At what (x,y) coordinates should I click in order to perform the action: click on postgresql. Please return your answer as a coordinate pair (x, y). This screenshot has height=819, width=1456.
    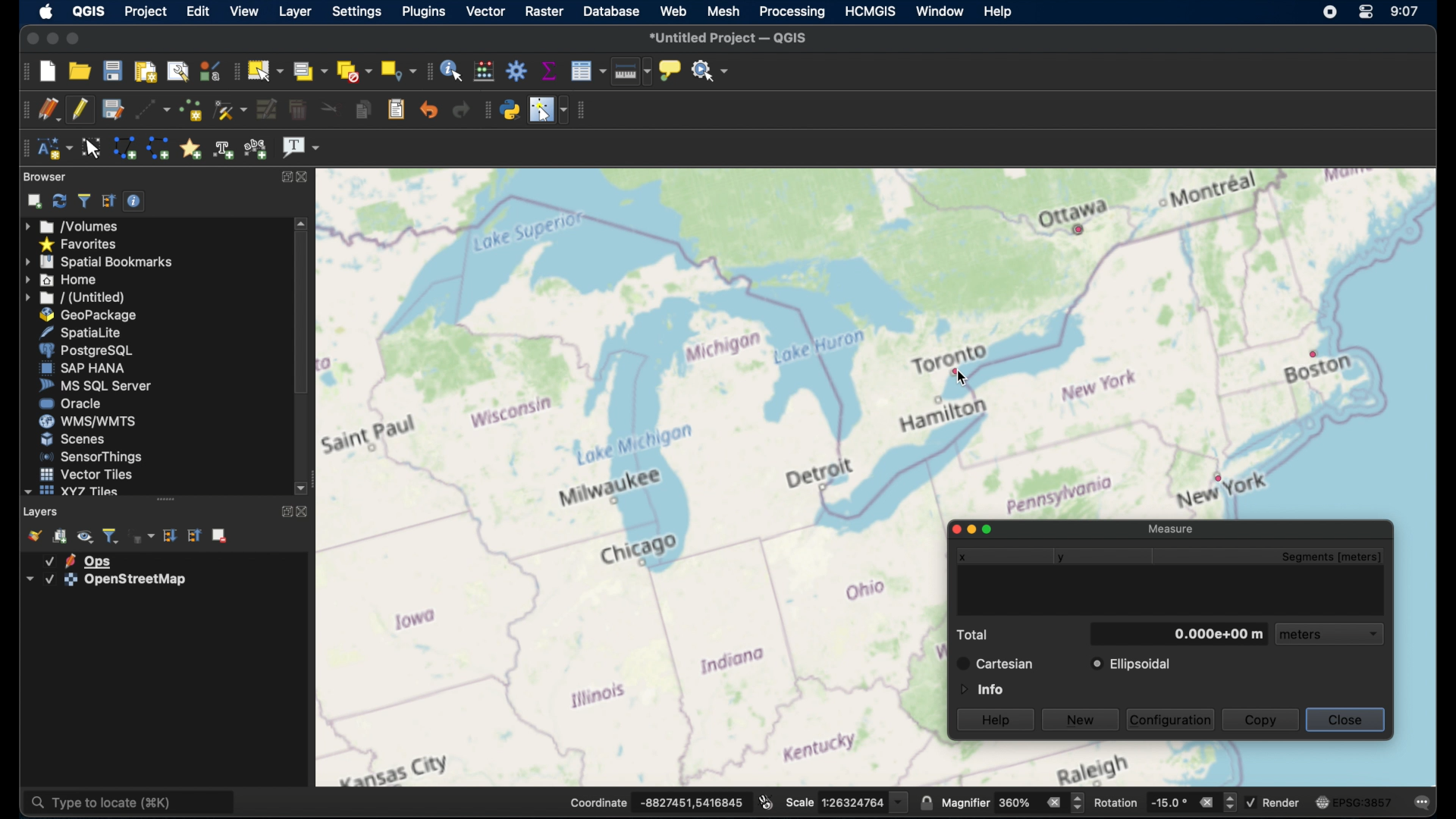
    Looking at the image, I should click on (92, 350).